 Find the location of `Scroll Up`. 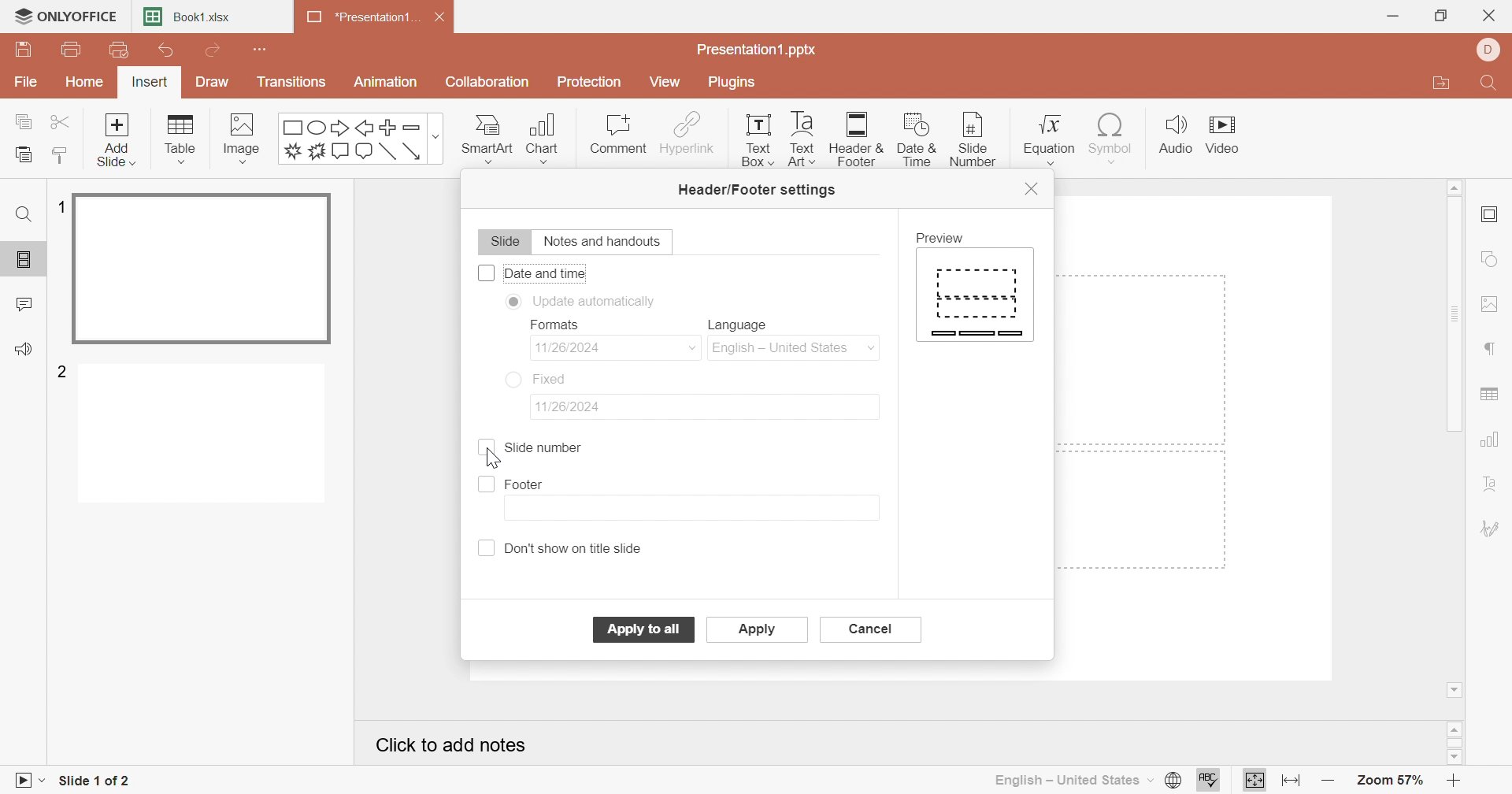

Scroll Up is located at coordinates (1458, 727).